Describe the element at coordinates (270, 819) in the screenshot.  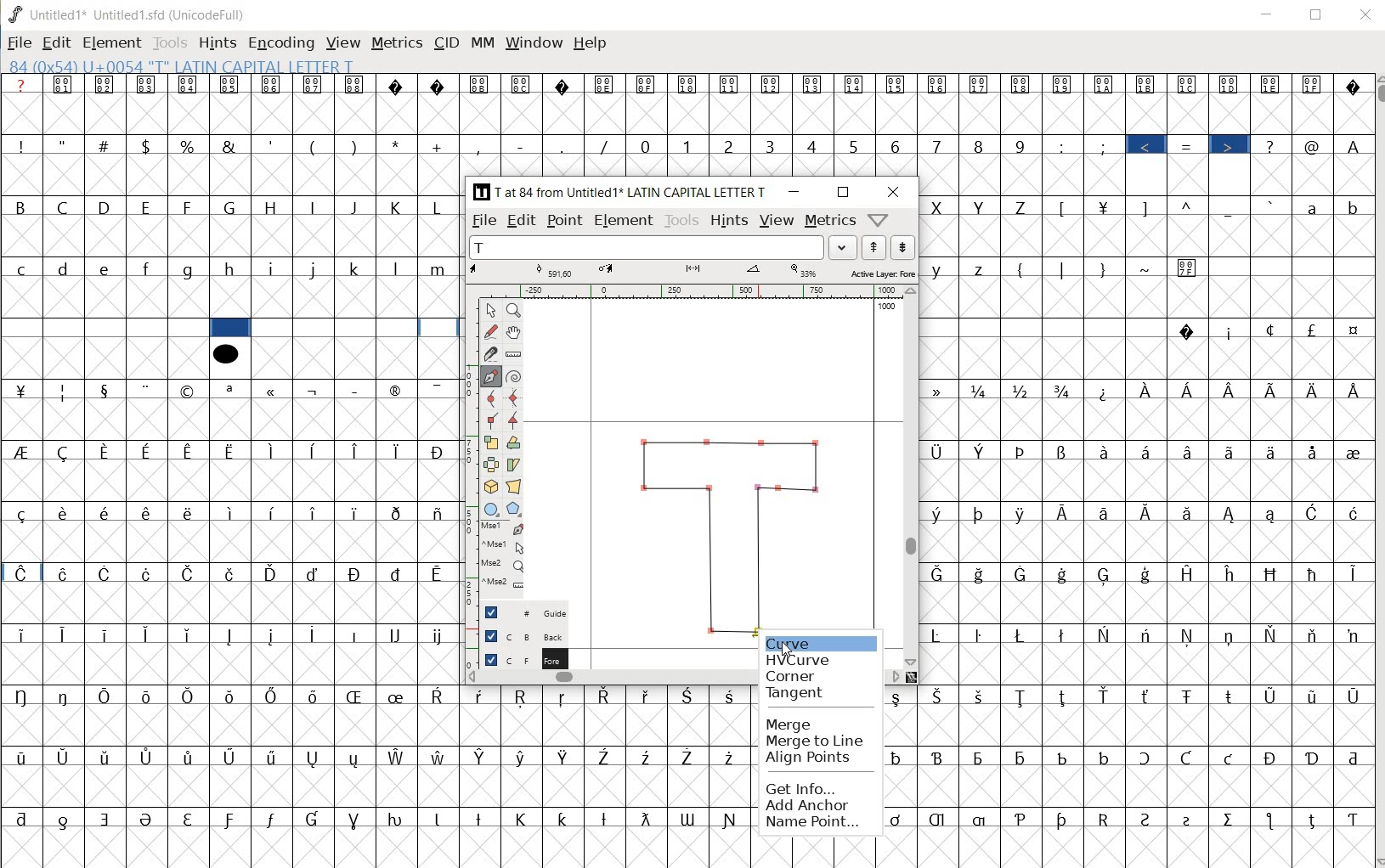
I see `Symbol` at that location.